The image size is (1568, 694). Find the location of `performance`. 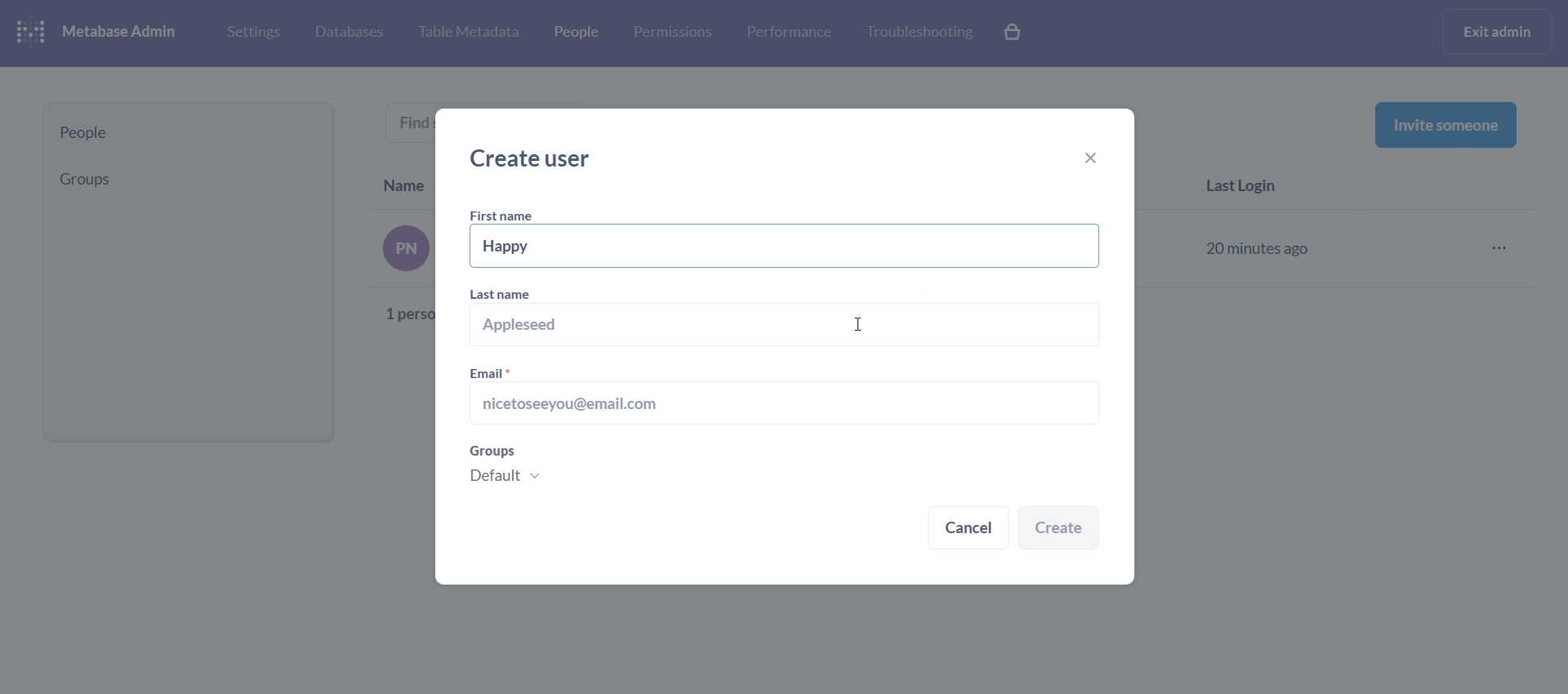

performance is located at coordinates (789, 31).